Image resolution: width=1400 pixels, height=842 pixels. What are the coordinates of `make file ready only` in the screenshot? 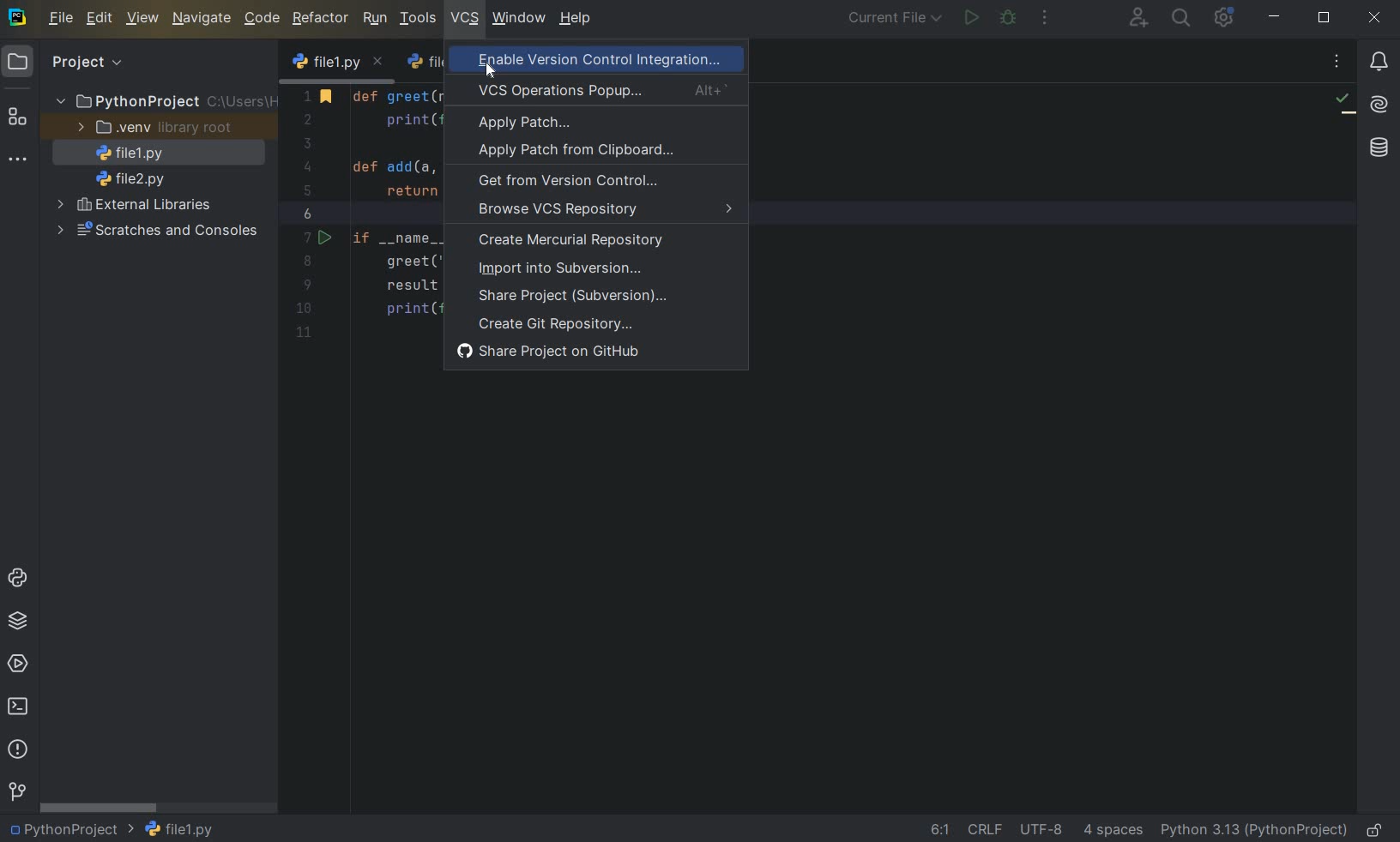 It's located at (1372, 829).